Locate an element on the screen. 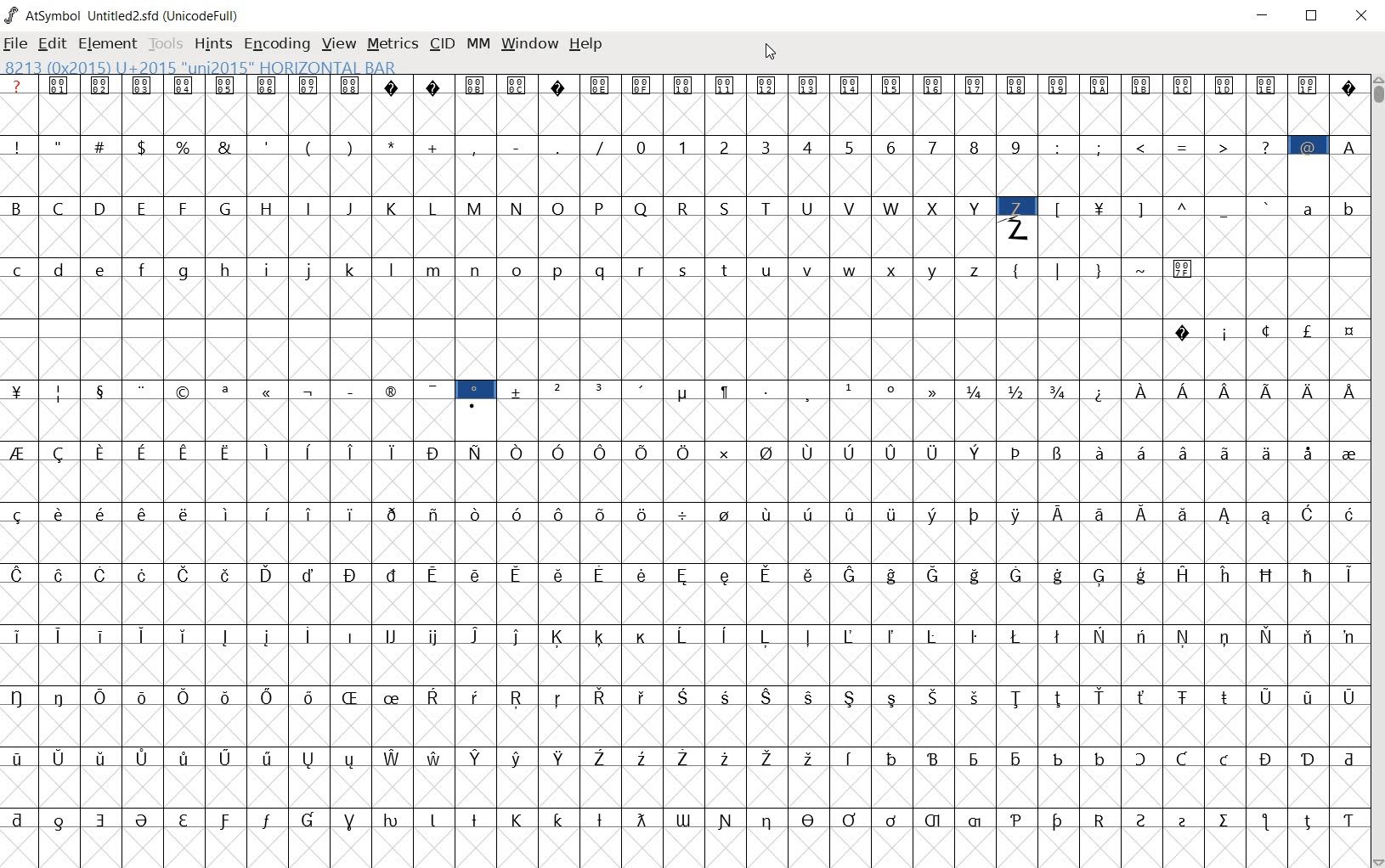 The image size is (1385, 868). HELP is located at coordinates (588, 43).